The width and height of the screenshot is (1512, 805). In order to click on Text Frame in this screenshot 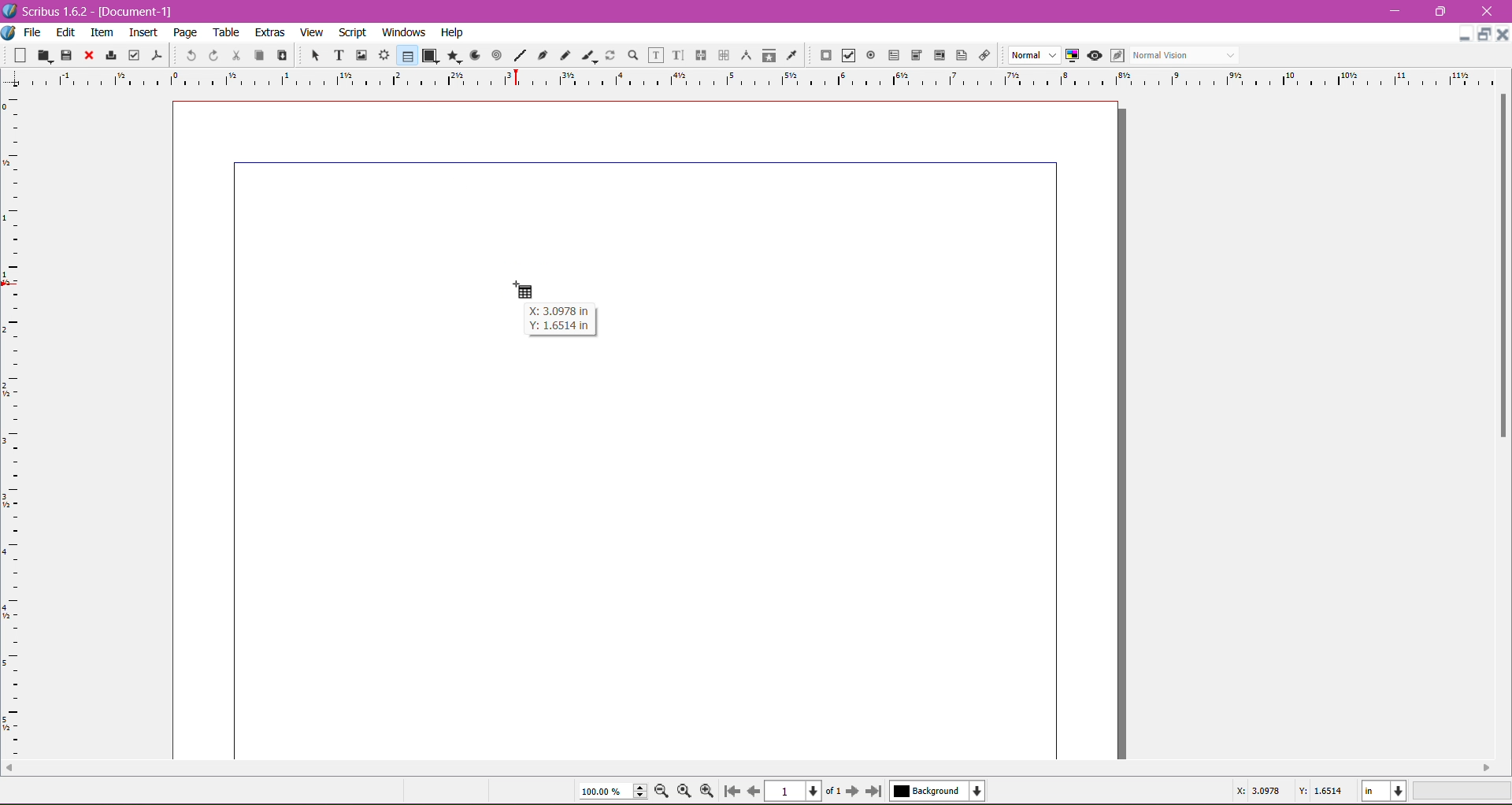, I will do `click(335, 55)`.